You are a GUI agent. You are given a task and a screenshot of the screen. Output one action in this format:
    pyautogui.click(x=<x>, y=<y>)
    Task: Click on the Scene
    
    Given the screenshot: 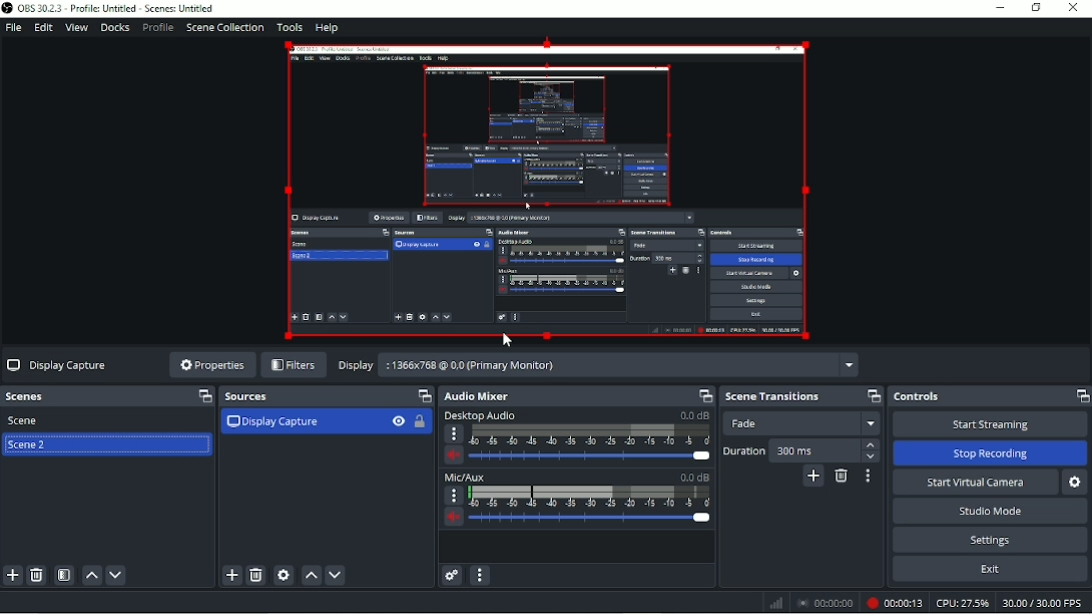 What is the action you would take?
    pyautogui.click(x=27, y=420)
    